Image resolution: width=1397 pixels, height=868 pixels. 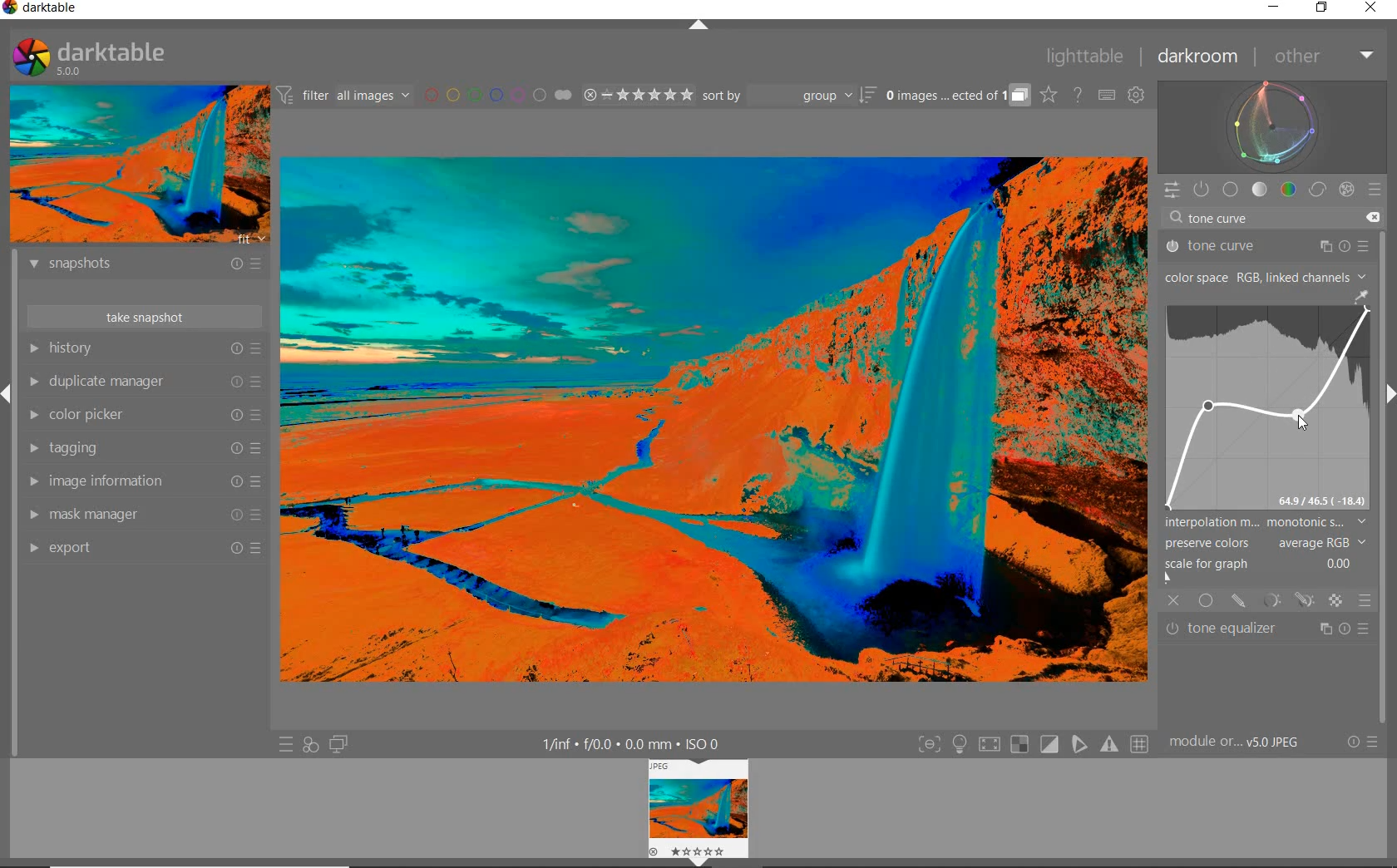 I want to click on IMAGE PREVIEW, so click(x=137, y=165).